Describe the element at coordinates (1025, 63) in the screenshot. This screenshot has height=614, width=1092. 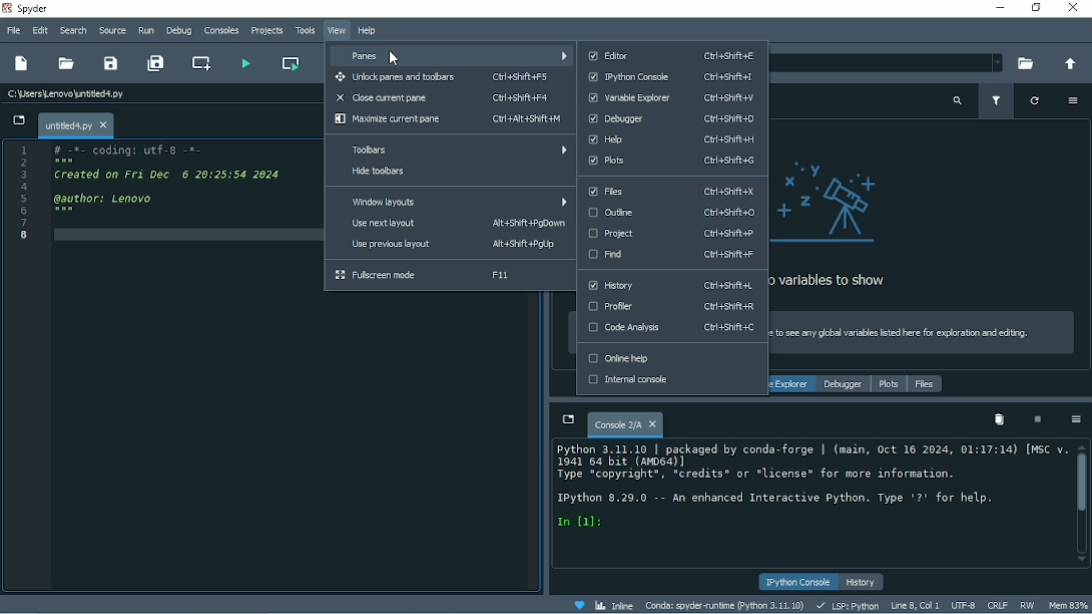
I see `Browse a working directory` at that location.